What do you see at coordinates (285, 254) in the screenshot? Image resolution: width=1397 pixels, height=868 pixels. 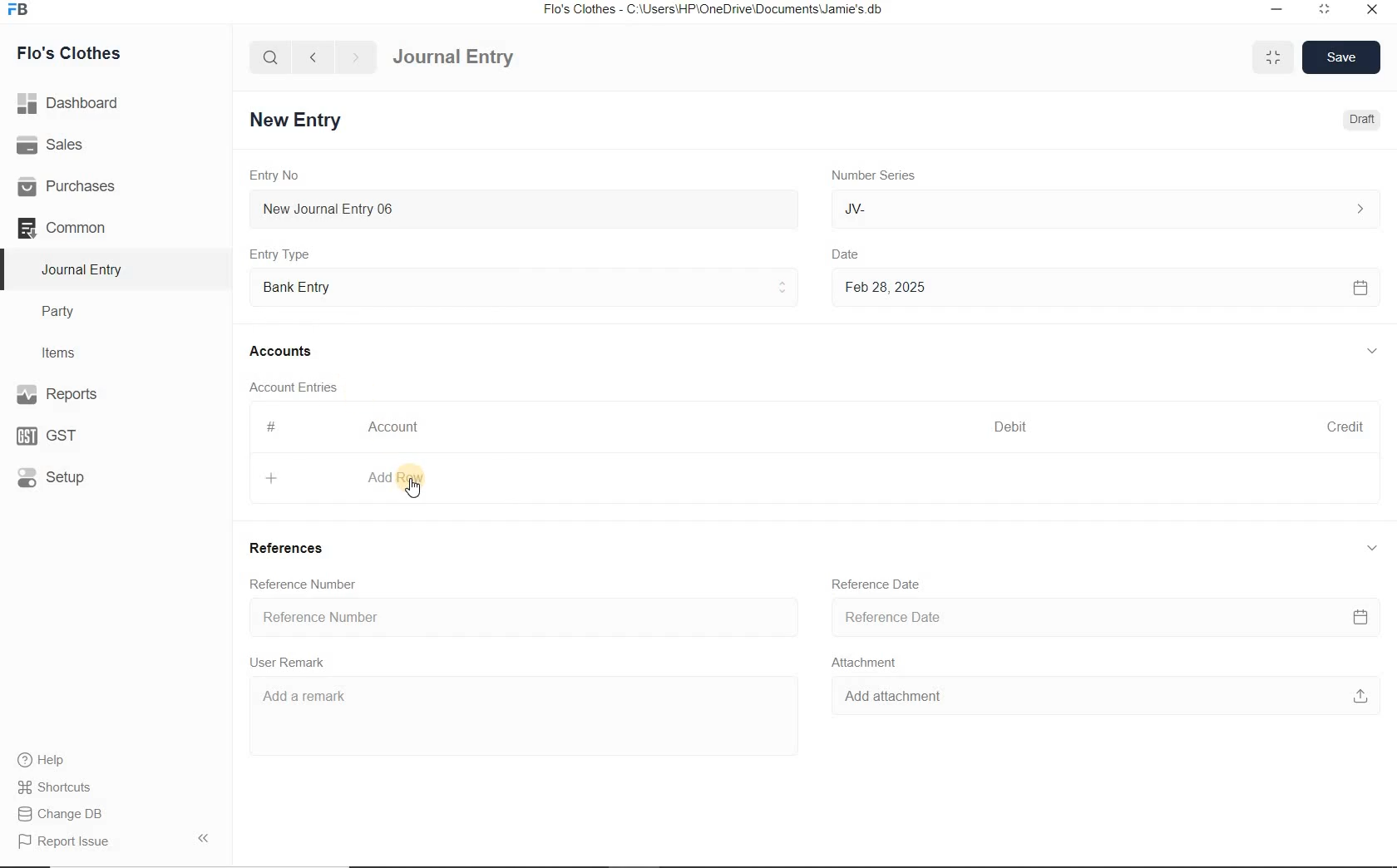 I see `Entry Type` at bounding box center [285, 254].